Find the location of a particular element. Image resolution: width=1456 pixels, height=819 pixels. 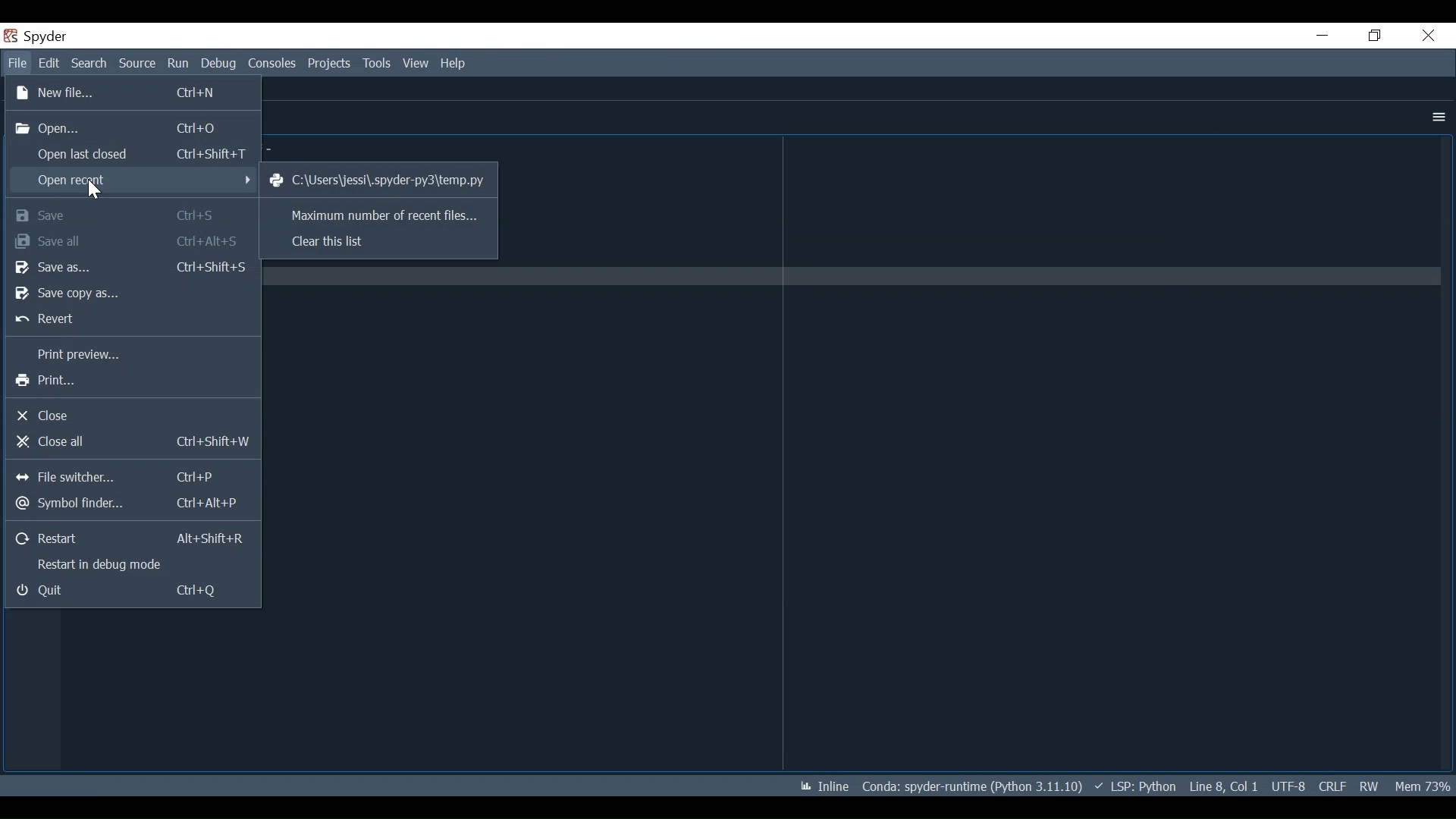

Restore is located at coordinates (1377, 35).